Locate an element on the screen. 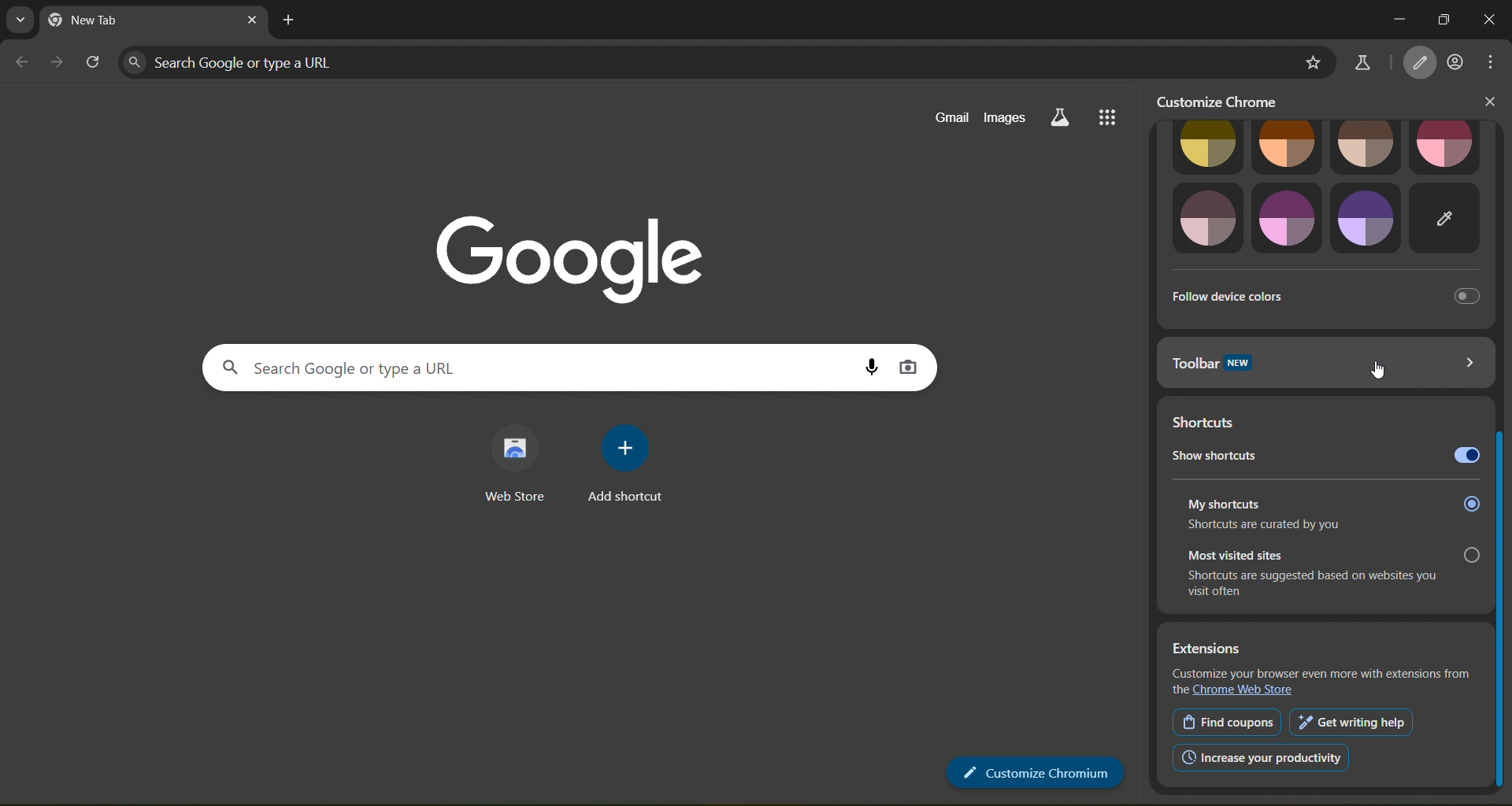 The height and width of the screenshot is (806, 1512). find coupons is located at coordinates (1225, 724).